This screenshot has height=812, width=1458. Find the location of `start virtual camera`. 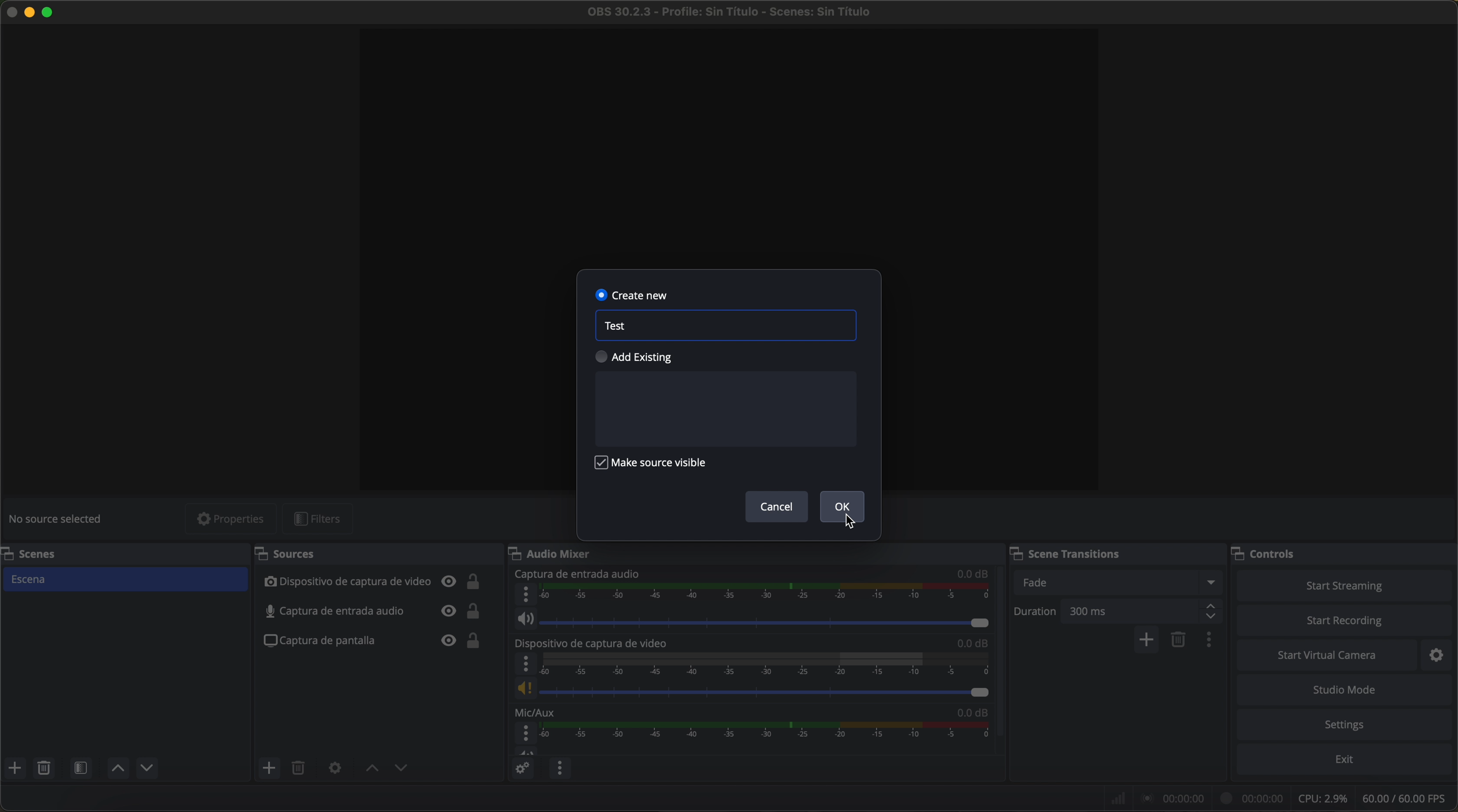

start virtual camera is located at coordinates (1327, 655).